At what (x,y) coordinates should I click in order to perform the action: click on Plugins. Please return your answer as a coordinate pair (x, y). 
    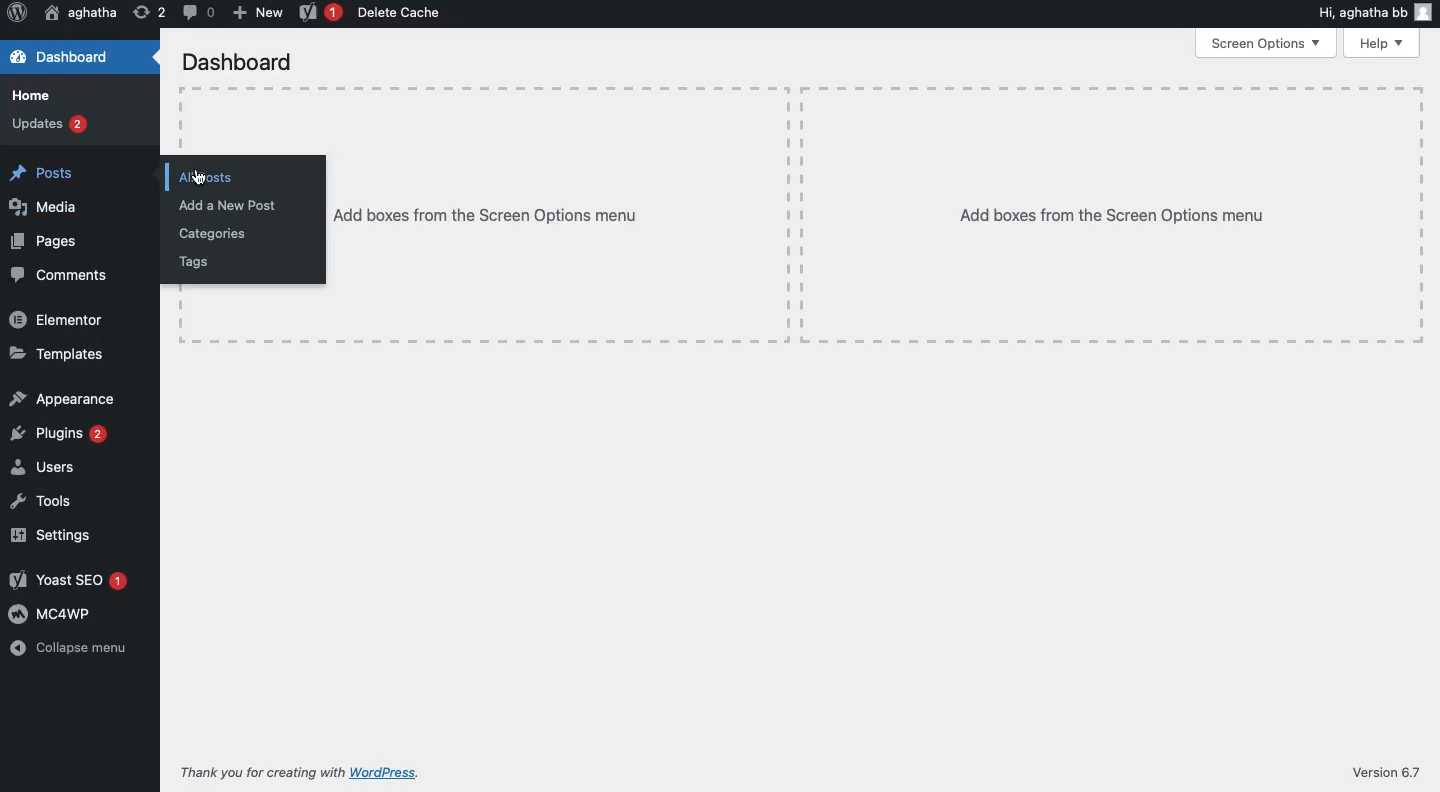
    Looking at the image, I should click on (59, 433).